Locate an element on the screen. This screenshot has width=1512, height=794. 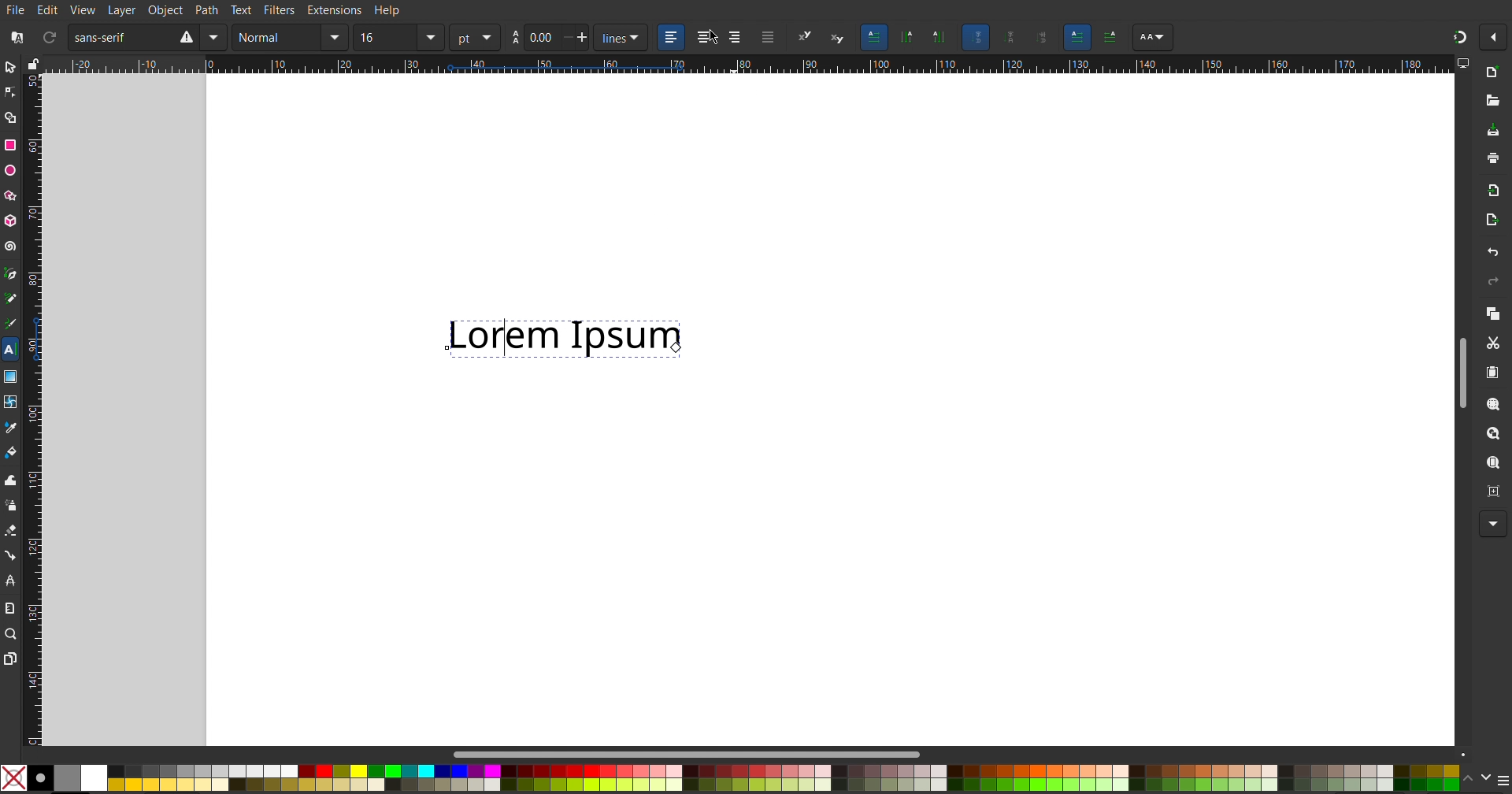
Font settings is located at coordinates (1151, 39).